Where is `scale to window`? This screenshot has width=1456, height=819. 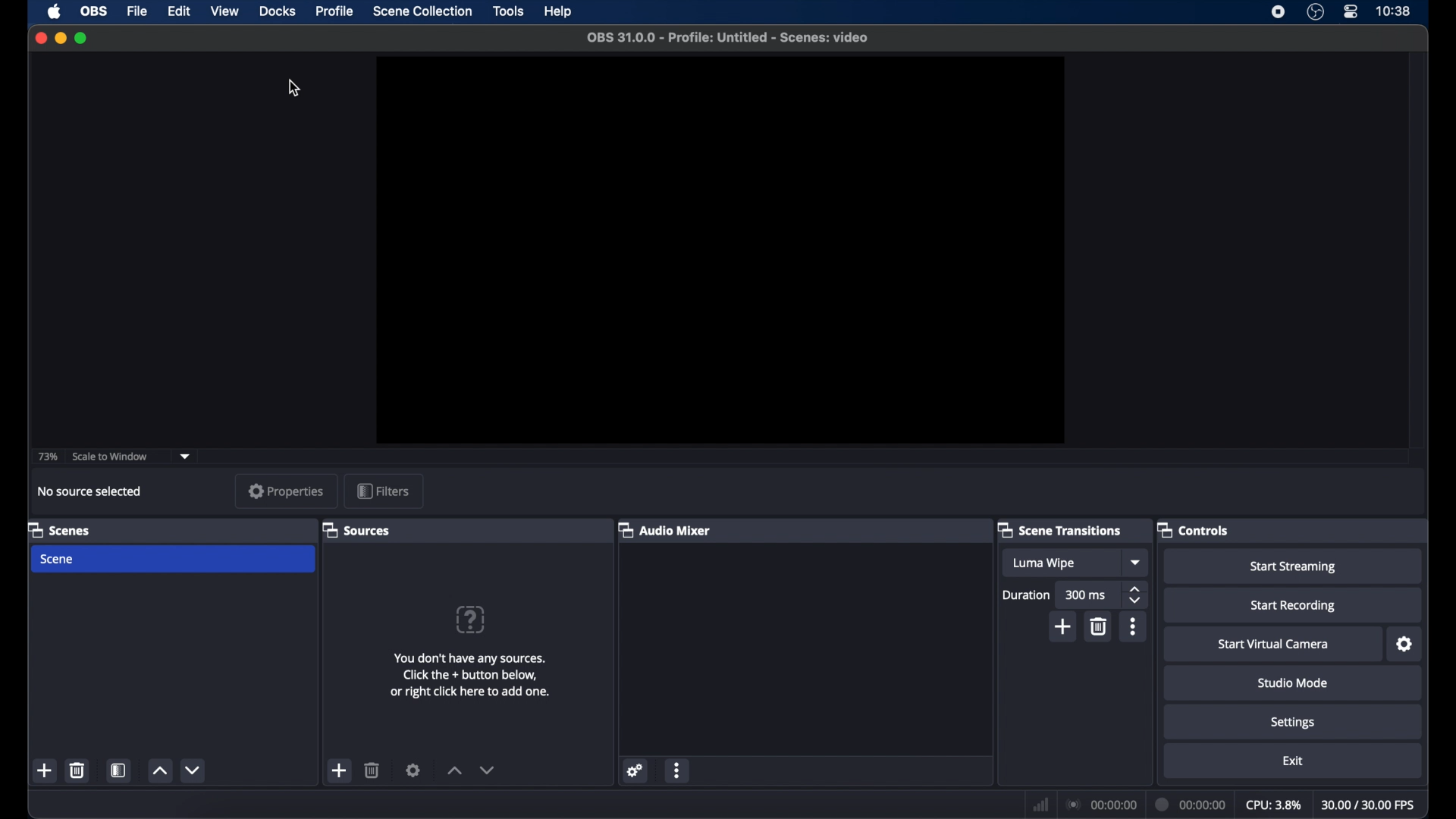
scale to window is located at coordinates (111, 457).